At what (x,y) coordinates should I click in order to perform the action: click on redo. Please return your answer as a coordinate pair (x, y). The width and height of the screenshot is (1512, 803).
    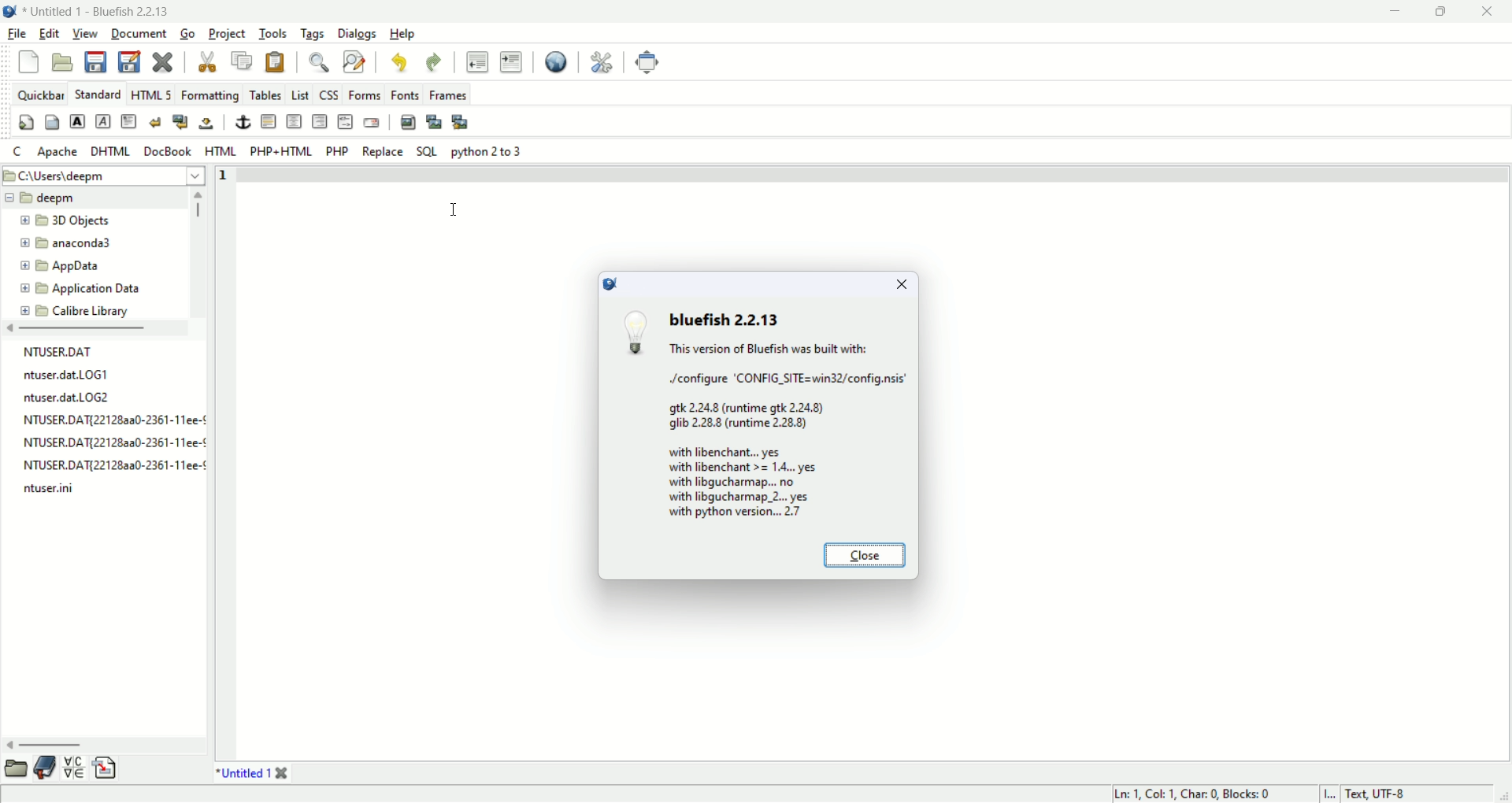
    Looking at the image, I should click on (435, 64).